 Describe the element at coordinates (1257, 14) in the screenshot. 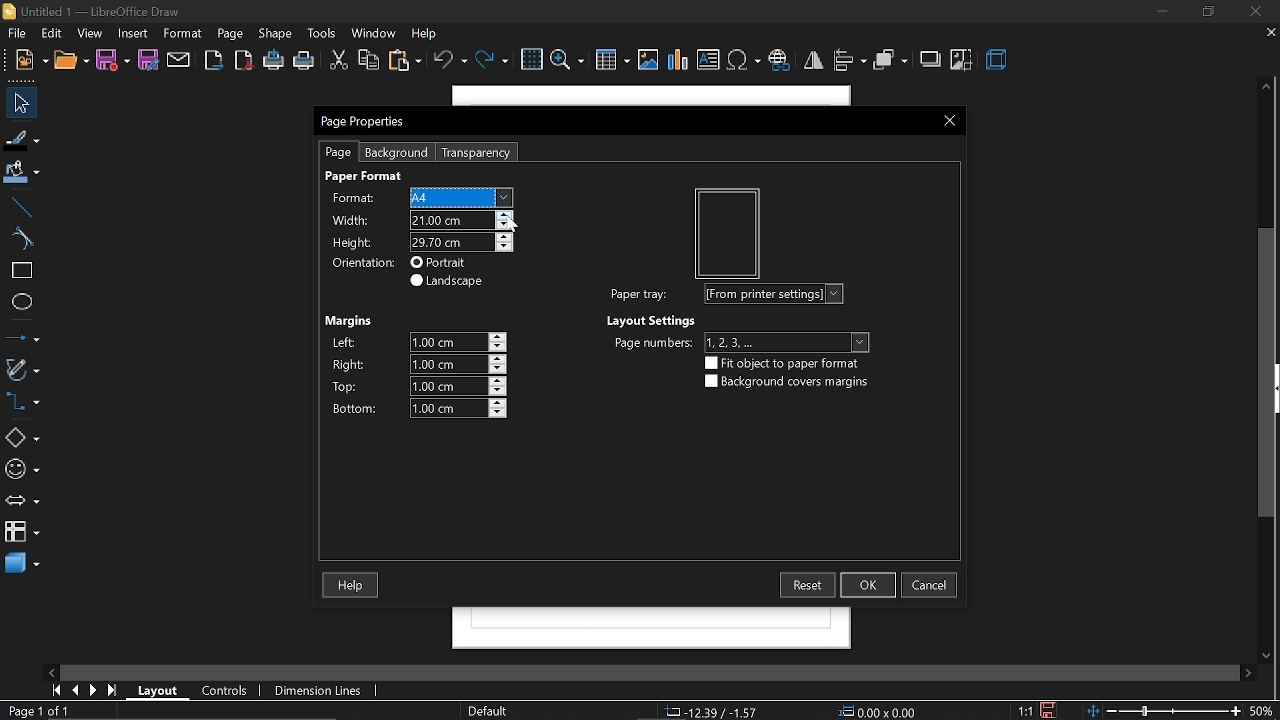

I see `close` at that location.